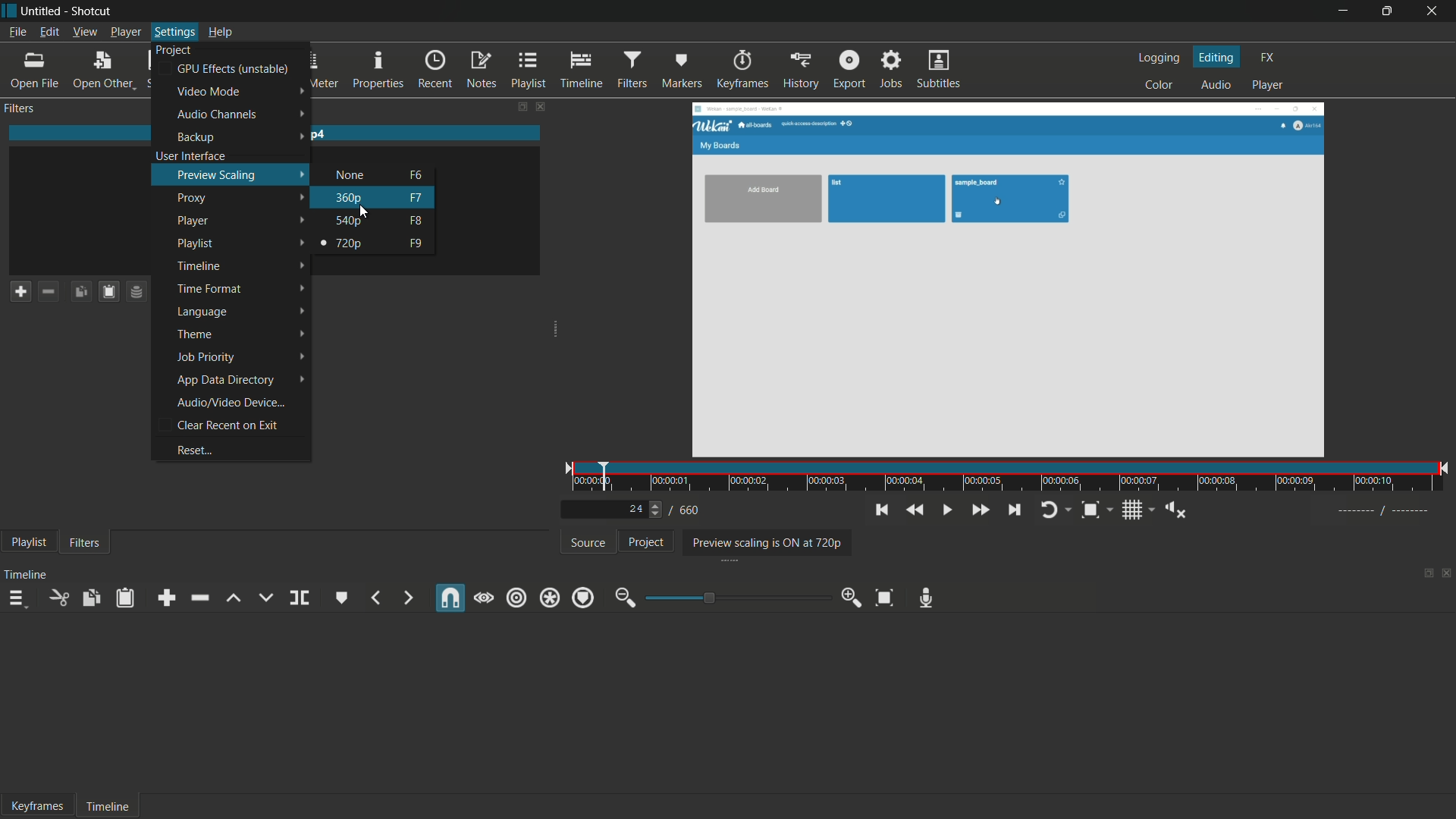 The width and height of the screenshot is (1456, 819). I want to click on preview window, so click(1007, 281).